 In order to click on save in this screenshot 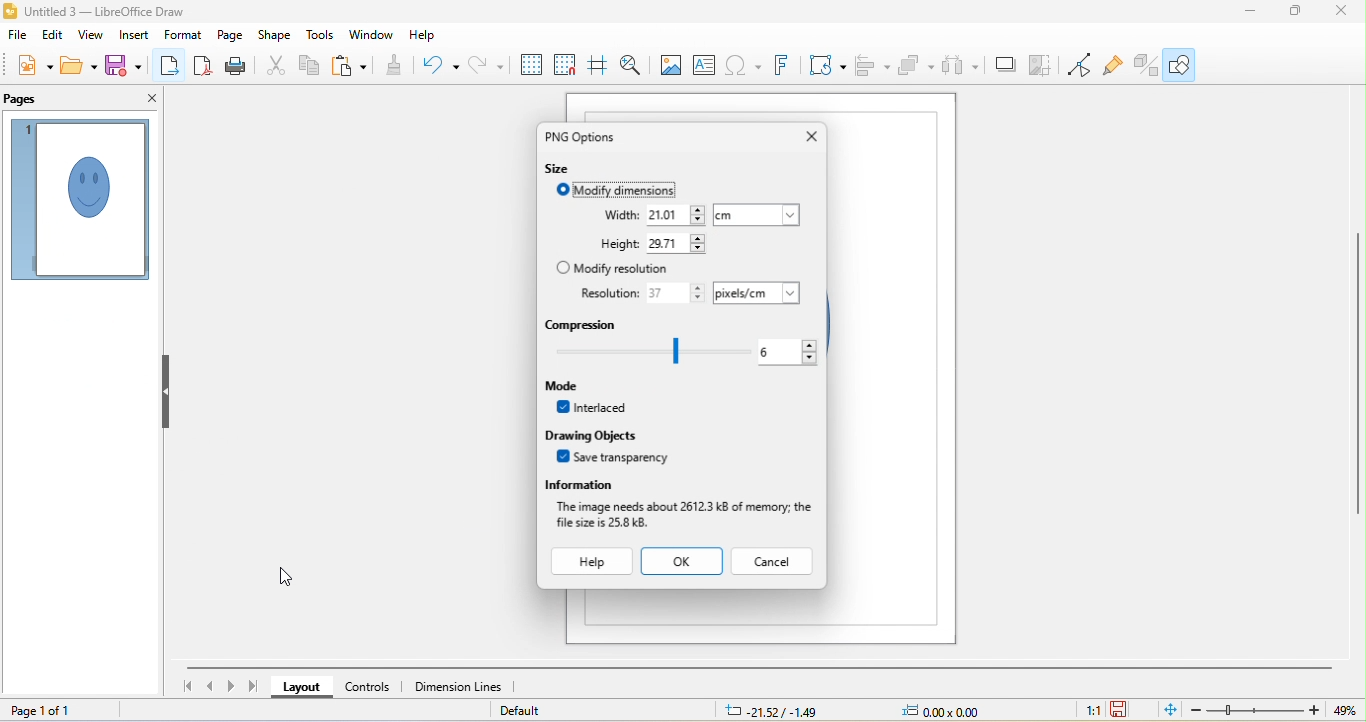, I will do `click(126, 64)`.